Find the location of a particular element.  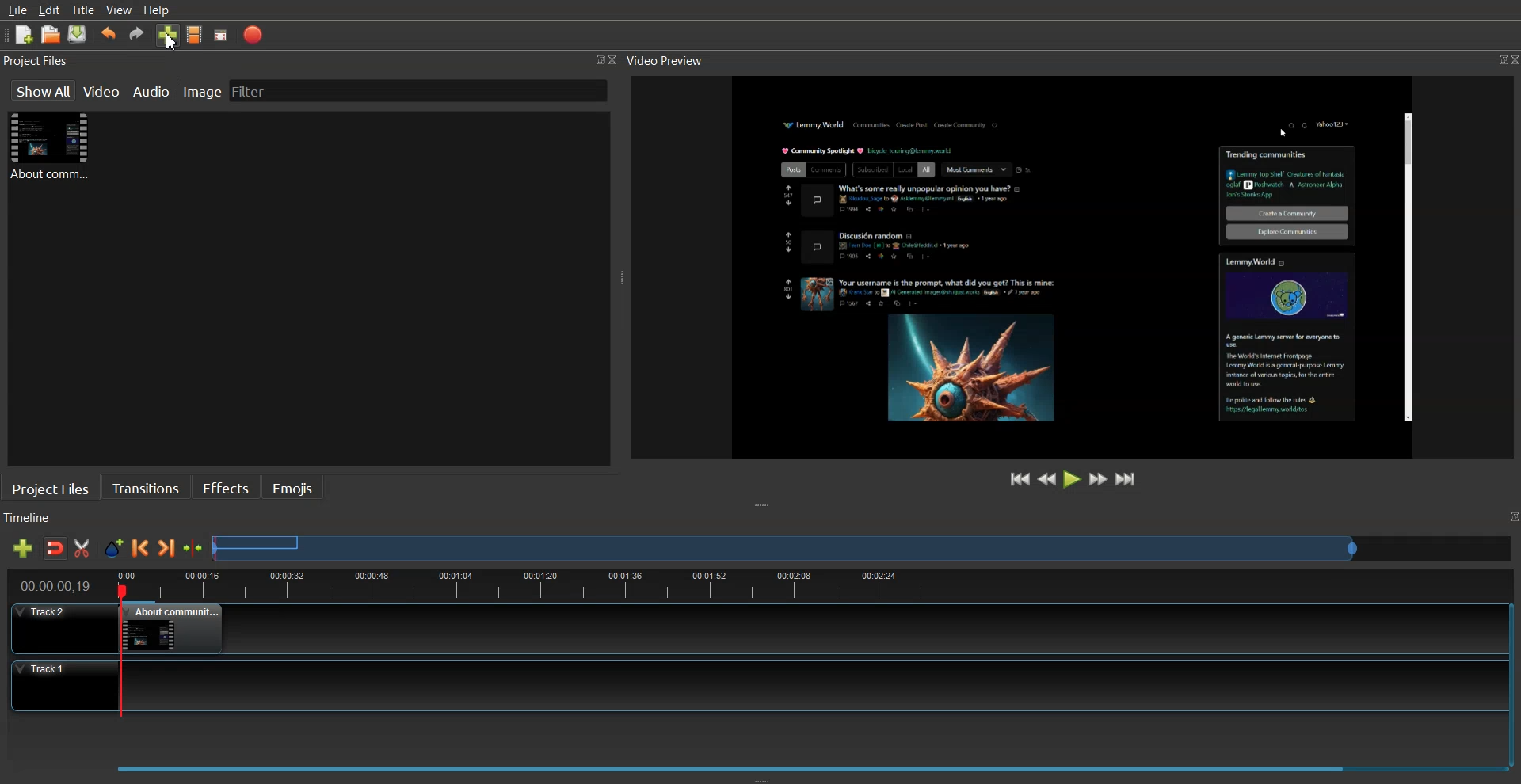

Fast Forward is located at coordinates (1099, 478).